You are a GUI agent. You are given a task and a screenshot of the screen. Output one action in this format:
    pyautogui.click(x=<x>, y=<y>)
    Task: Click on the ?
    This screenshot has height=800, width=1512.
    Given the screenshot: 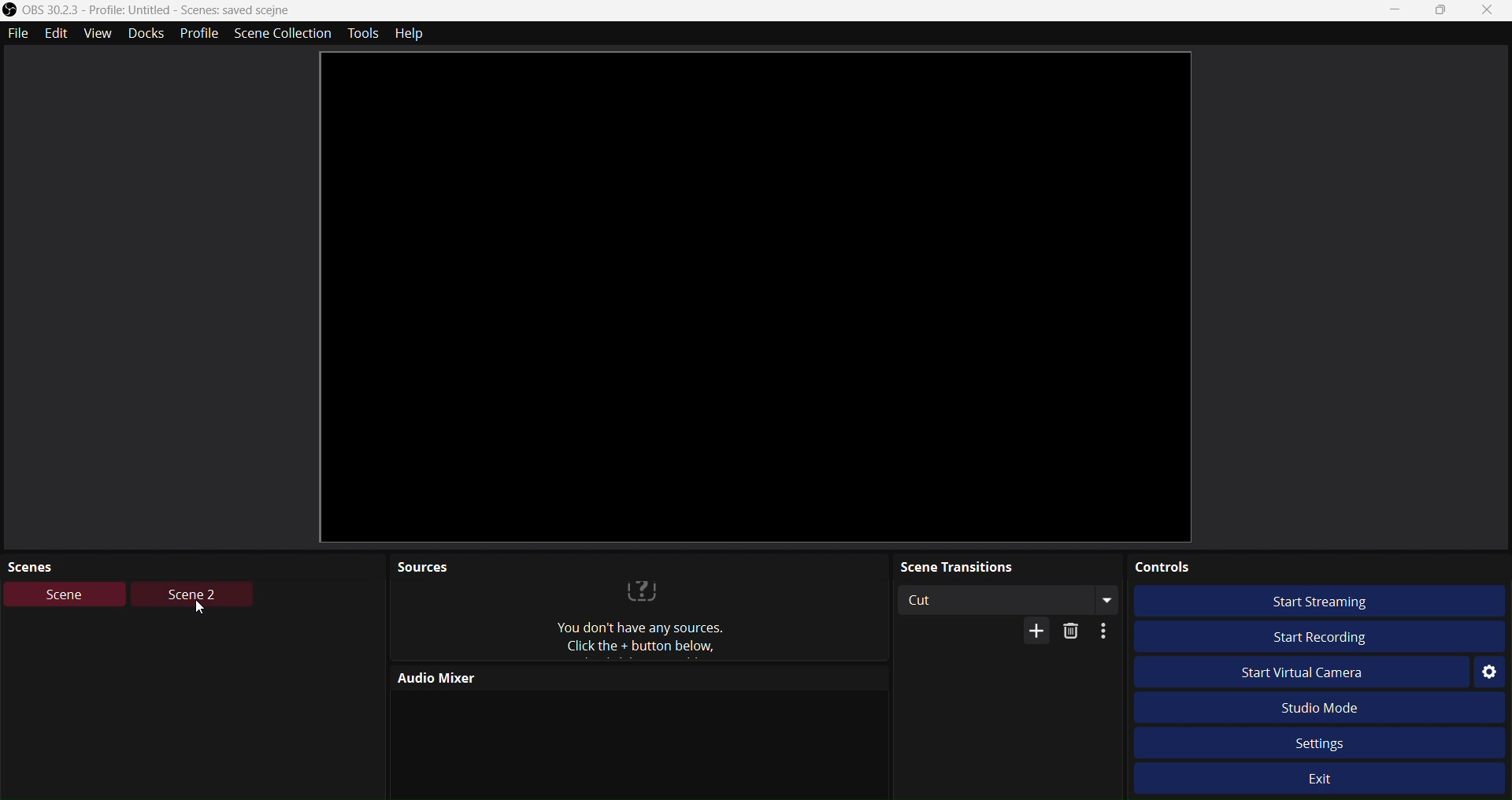 What is the action you would take?
    pyautogui.click(x=642, y=588)
    